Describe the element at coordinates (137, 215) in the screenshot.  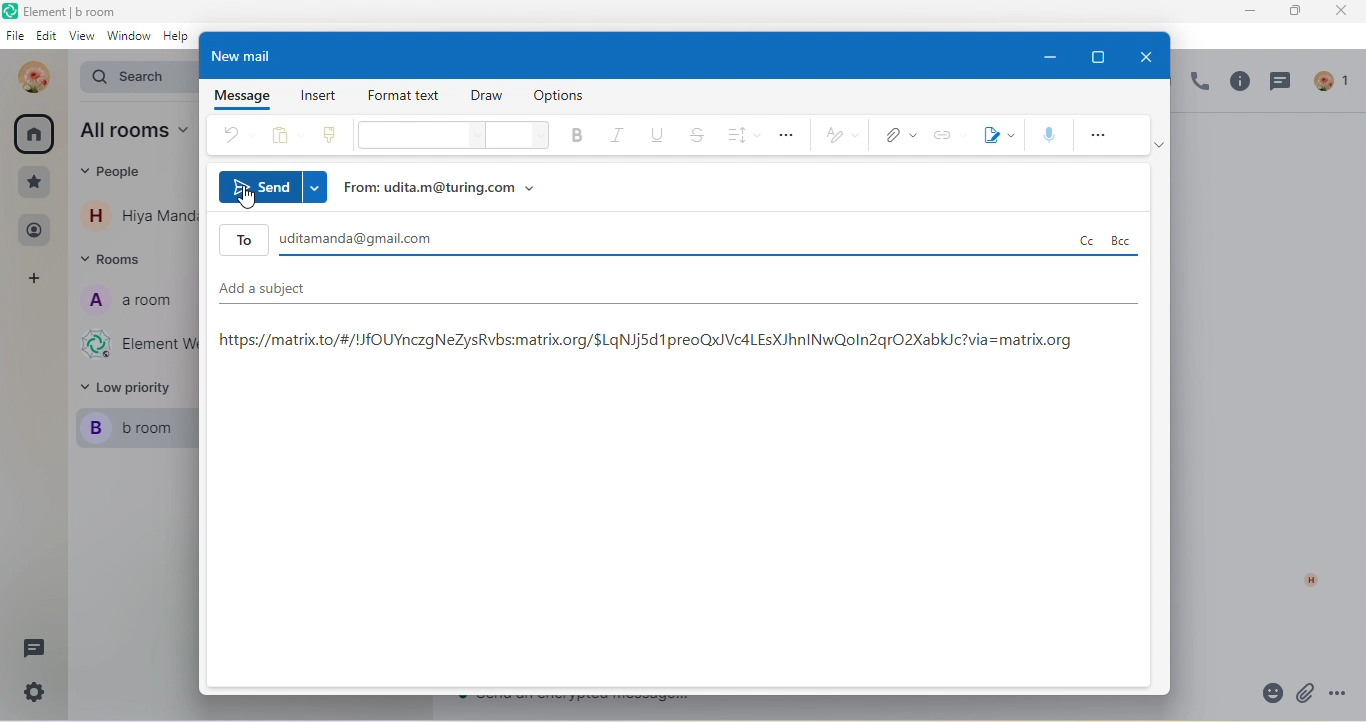
I see `contact` at that location.